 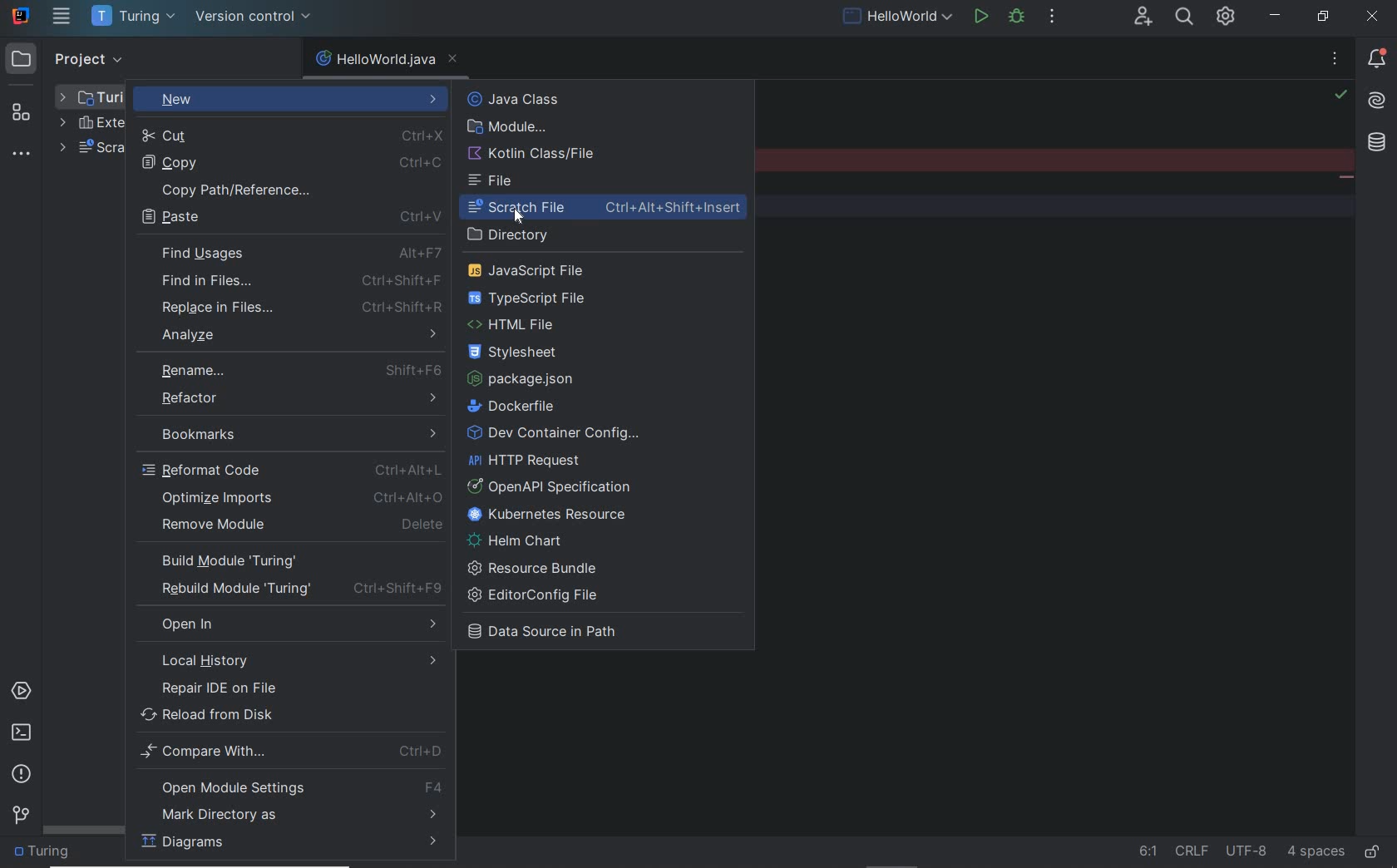 What do you see at coordinates (293, 398) in the screenshot?
I see `refactor` at bounding box center [293, 398].